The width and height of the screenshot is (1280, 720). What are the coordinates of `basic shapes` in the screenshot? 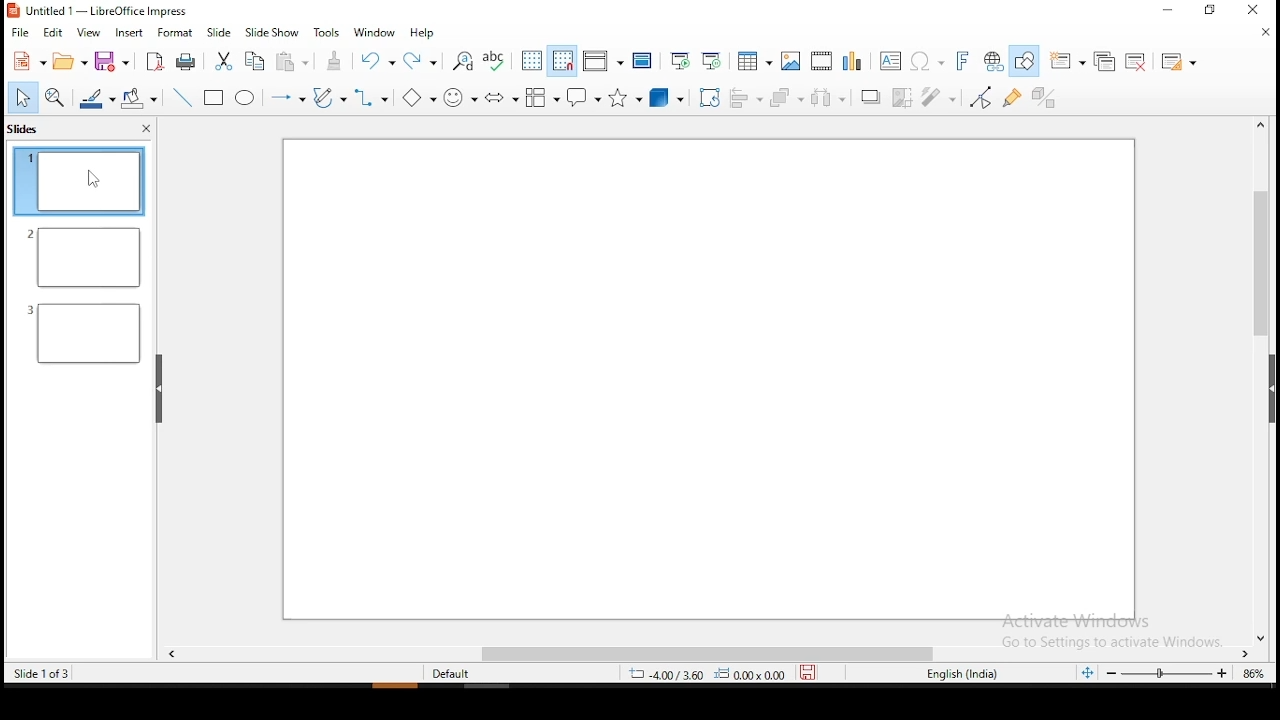 It's located at (418, 98).